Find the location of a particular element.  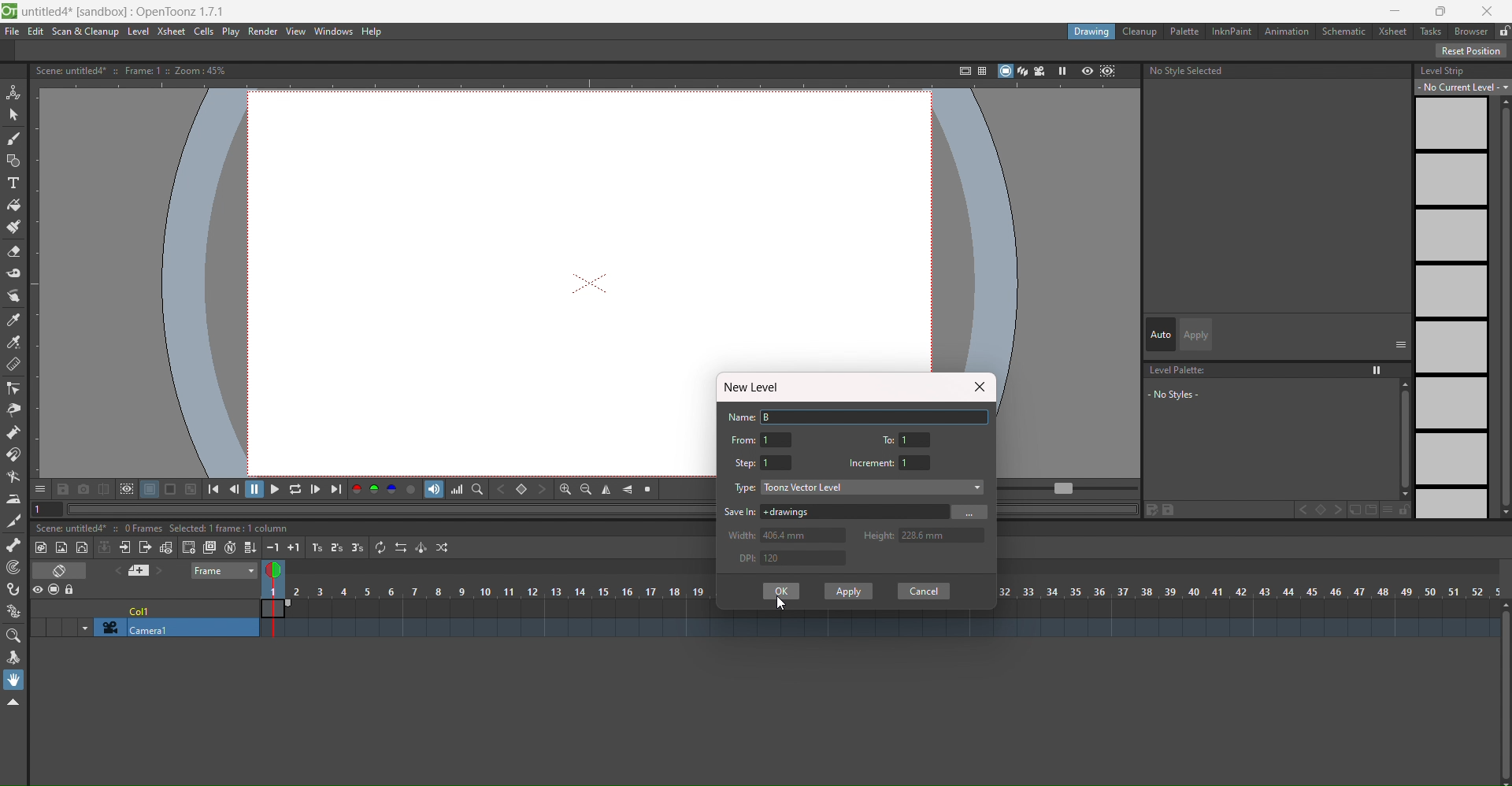

reverse is located at coordinates (400, 547).